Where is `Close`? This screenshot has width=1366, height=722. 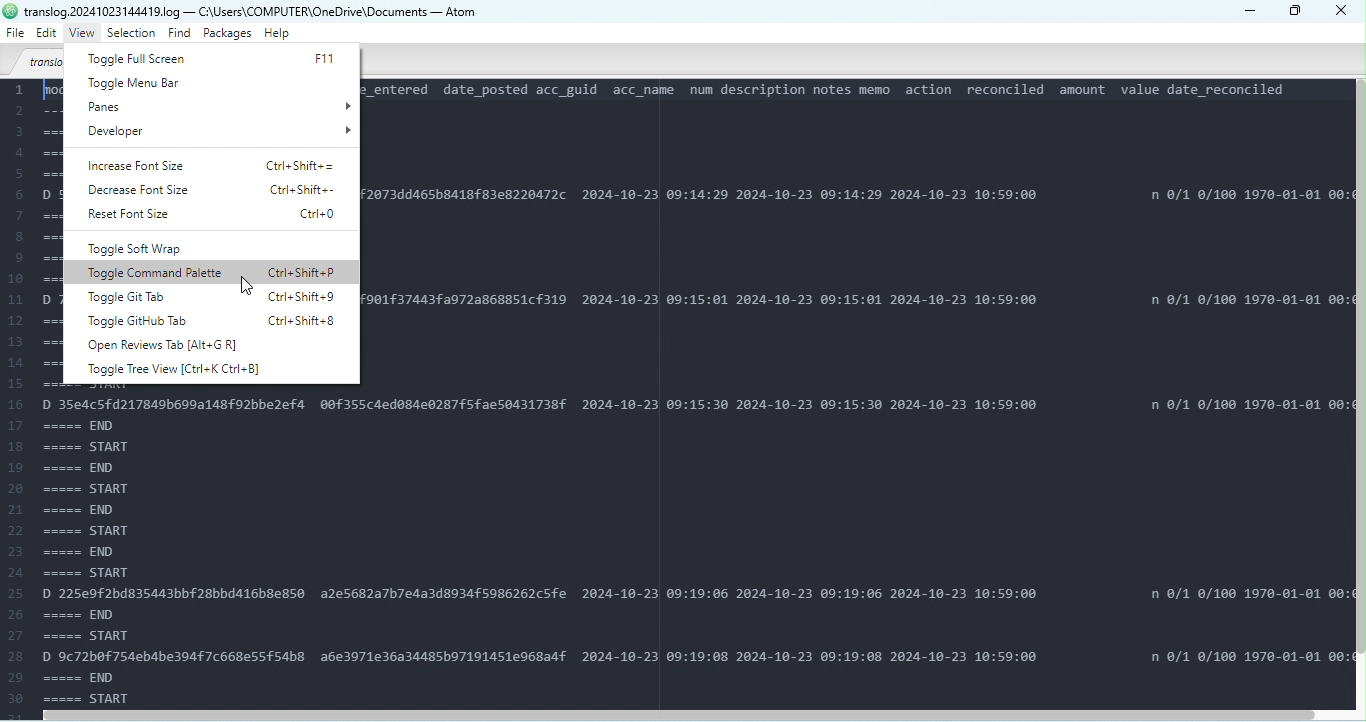 Close is located at coordinates (1344, 13).